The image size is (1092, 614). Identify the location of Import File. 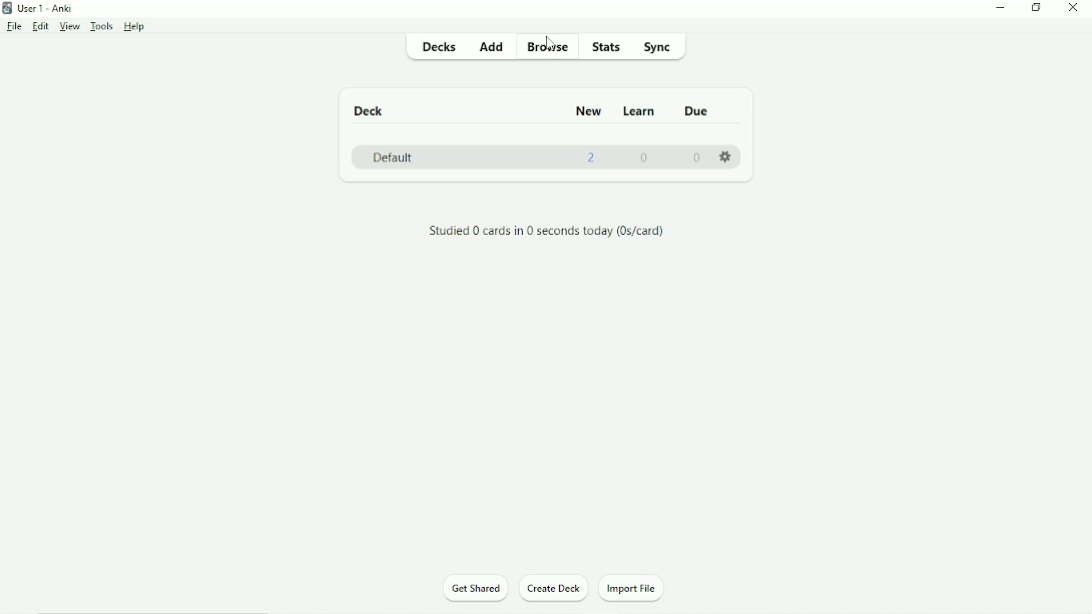
(638, 590).